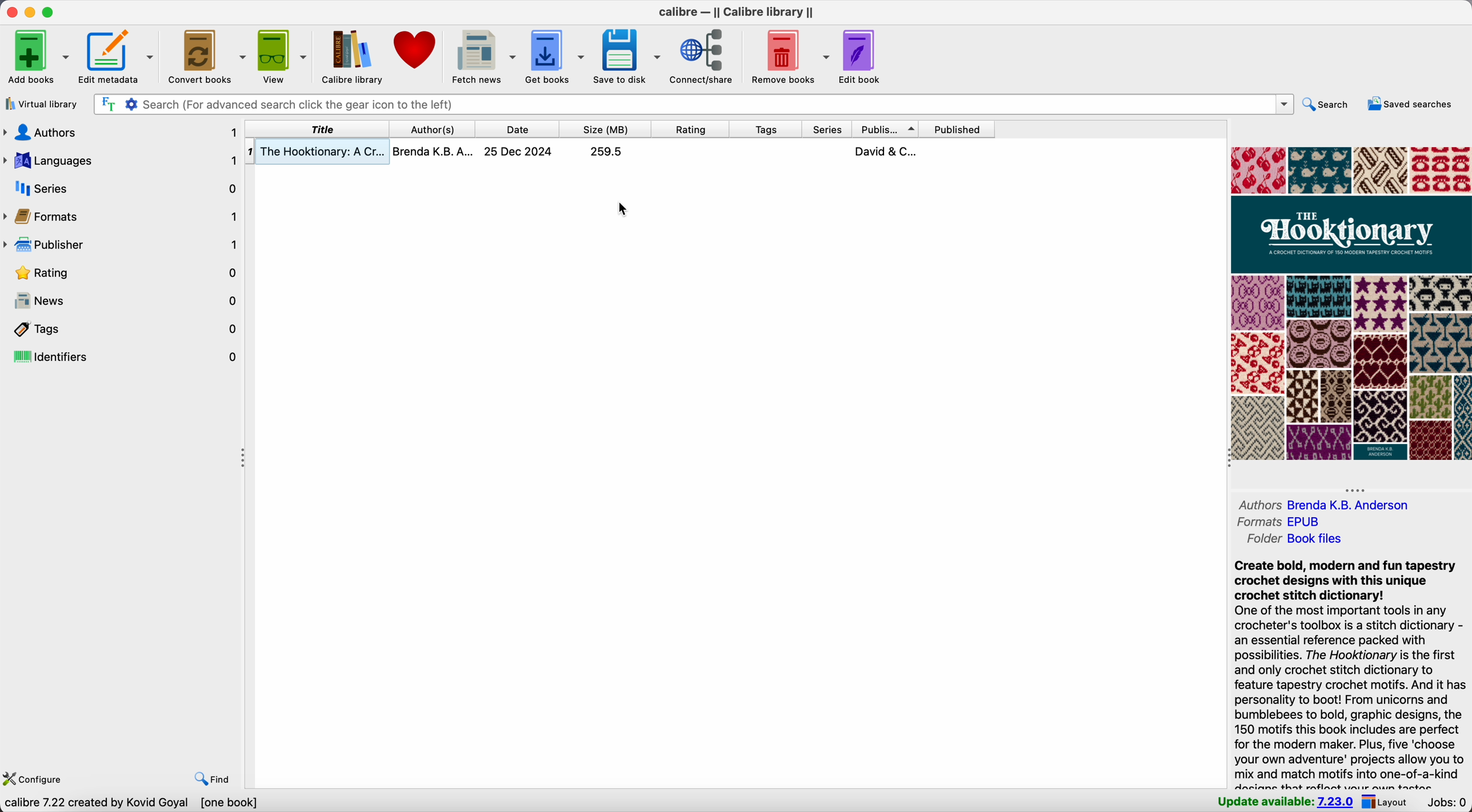 This screenshot has width=1472, height=812. Describe the element at coordinates (121, 161) in the screenshot. I see `languages` at that location.